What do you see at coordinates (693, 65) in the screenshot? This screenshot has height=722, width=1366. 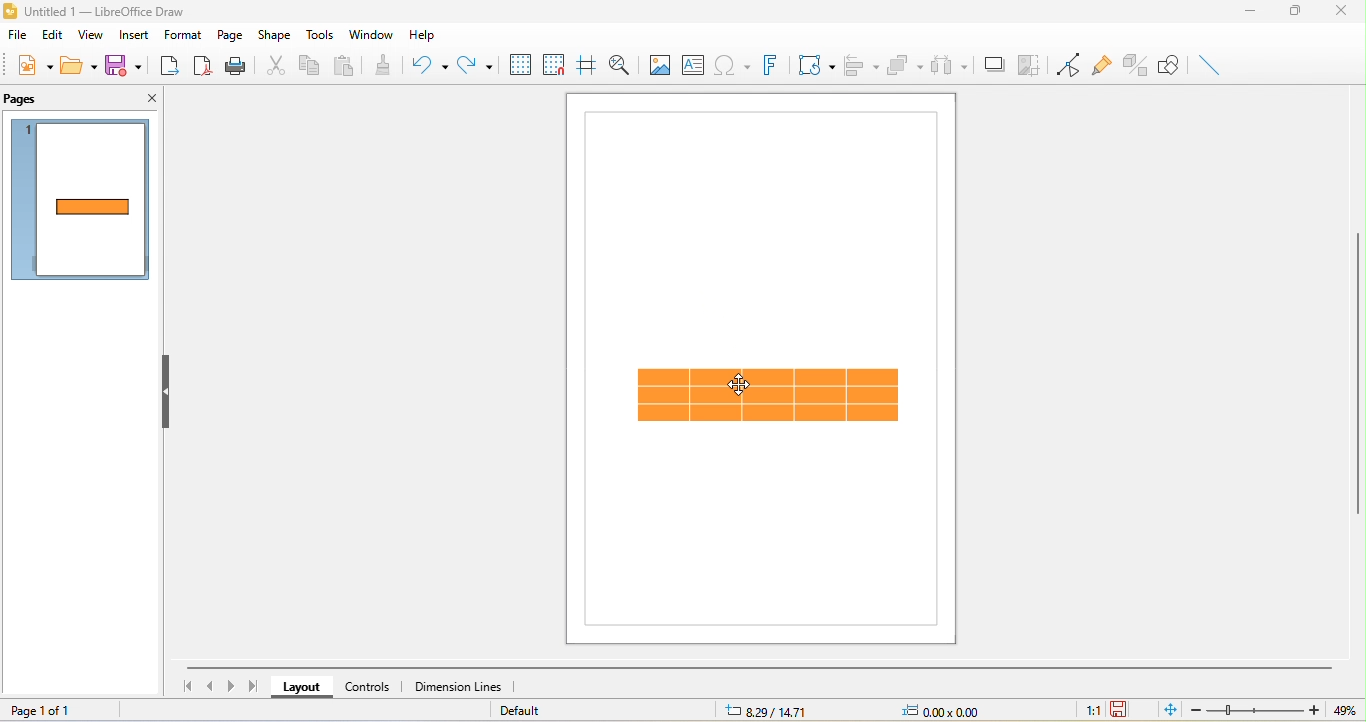 I see `text box` at bounding box center [693, 65].